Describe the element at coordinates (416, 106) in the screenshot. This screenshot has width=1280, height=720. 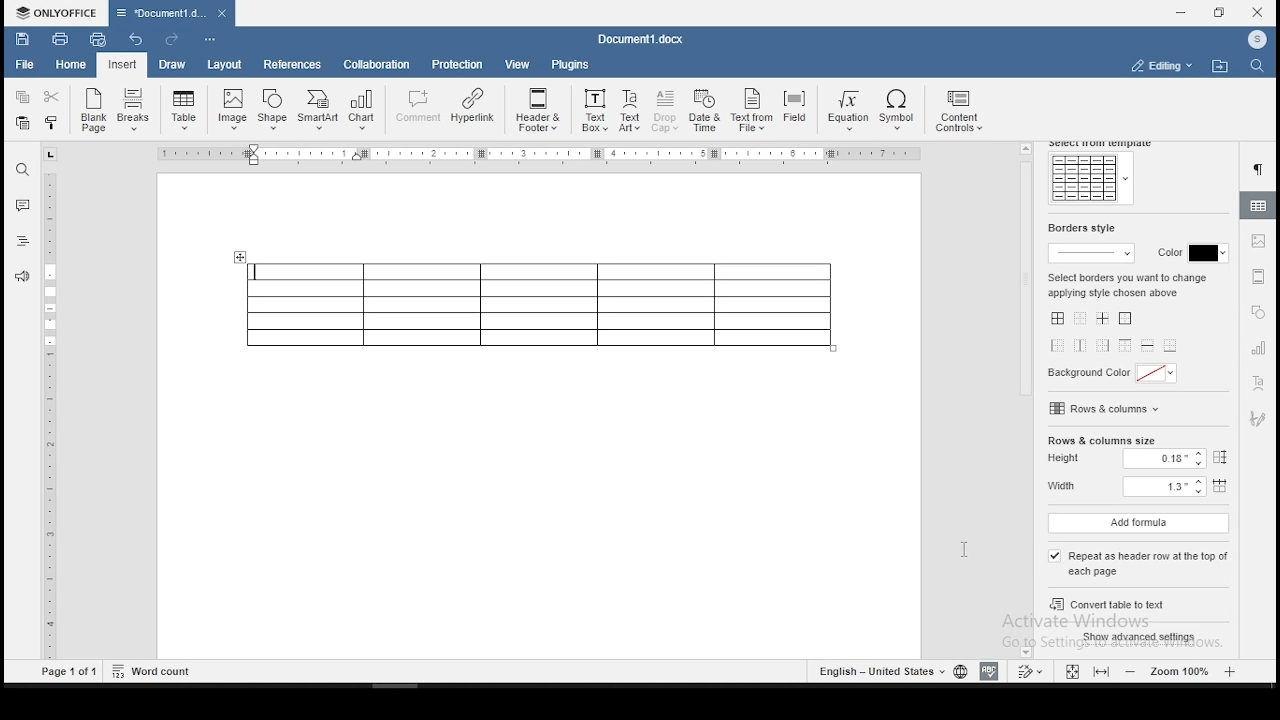
I see `comment` at that location.